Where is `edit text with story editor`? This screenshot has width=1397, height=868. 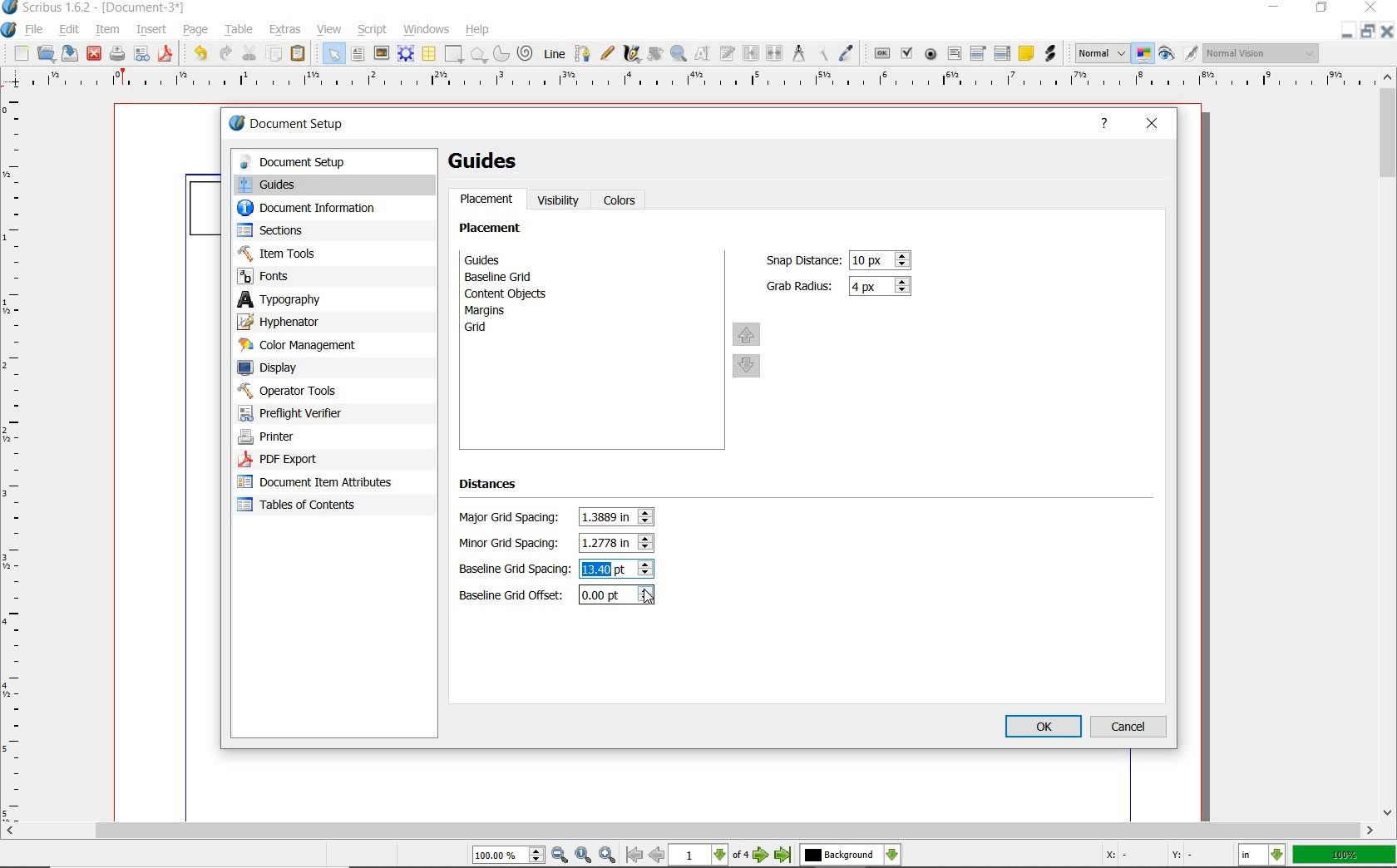
edit text with story editor is located at coordinates (726, 52).